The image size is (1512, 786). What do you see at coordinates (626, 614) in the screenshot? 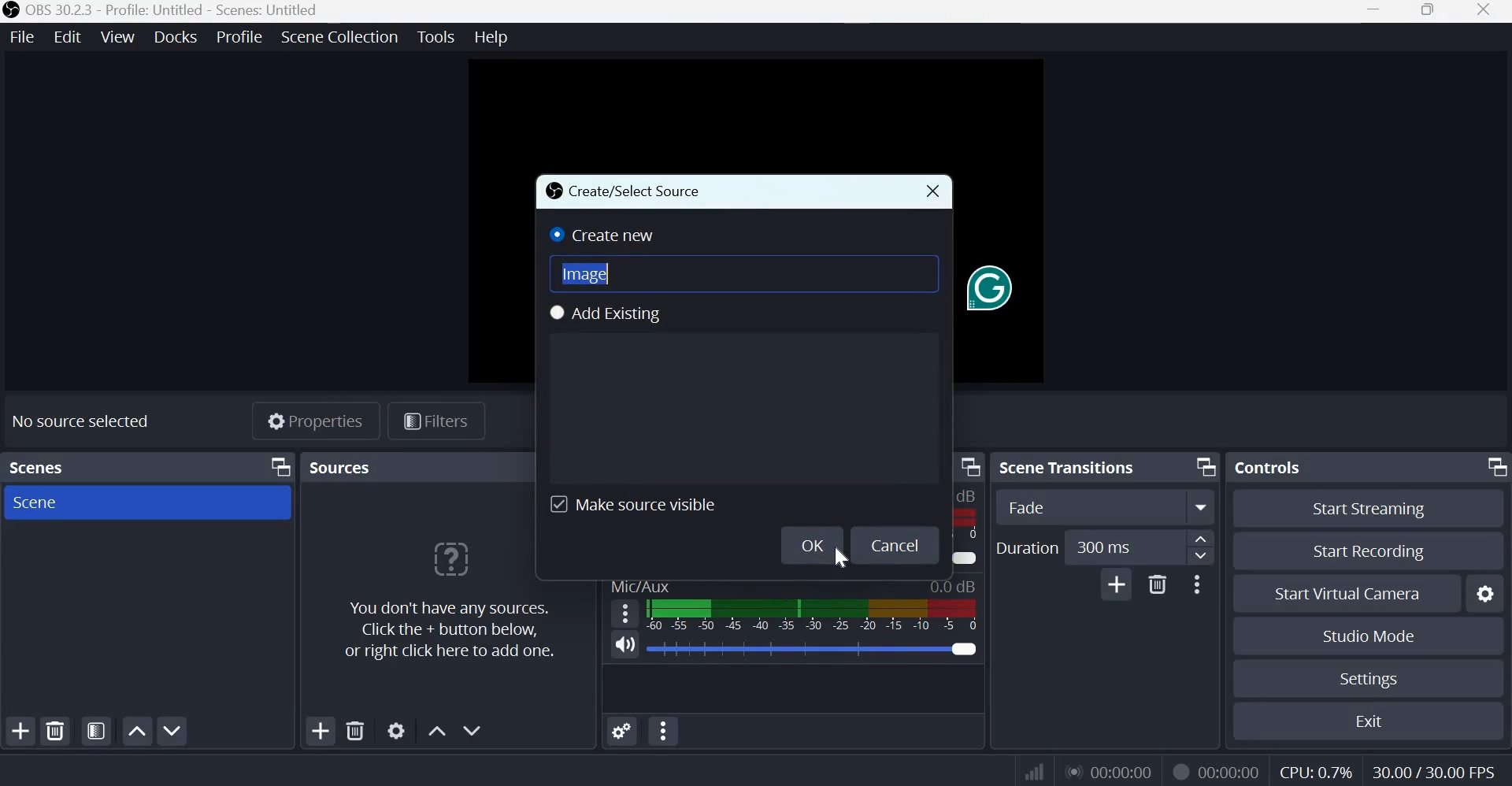
I see `hamburger menu` at bounding box center [626, 614].